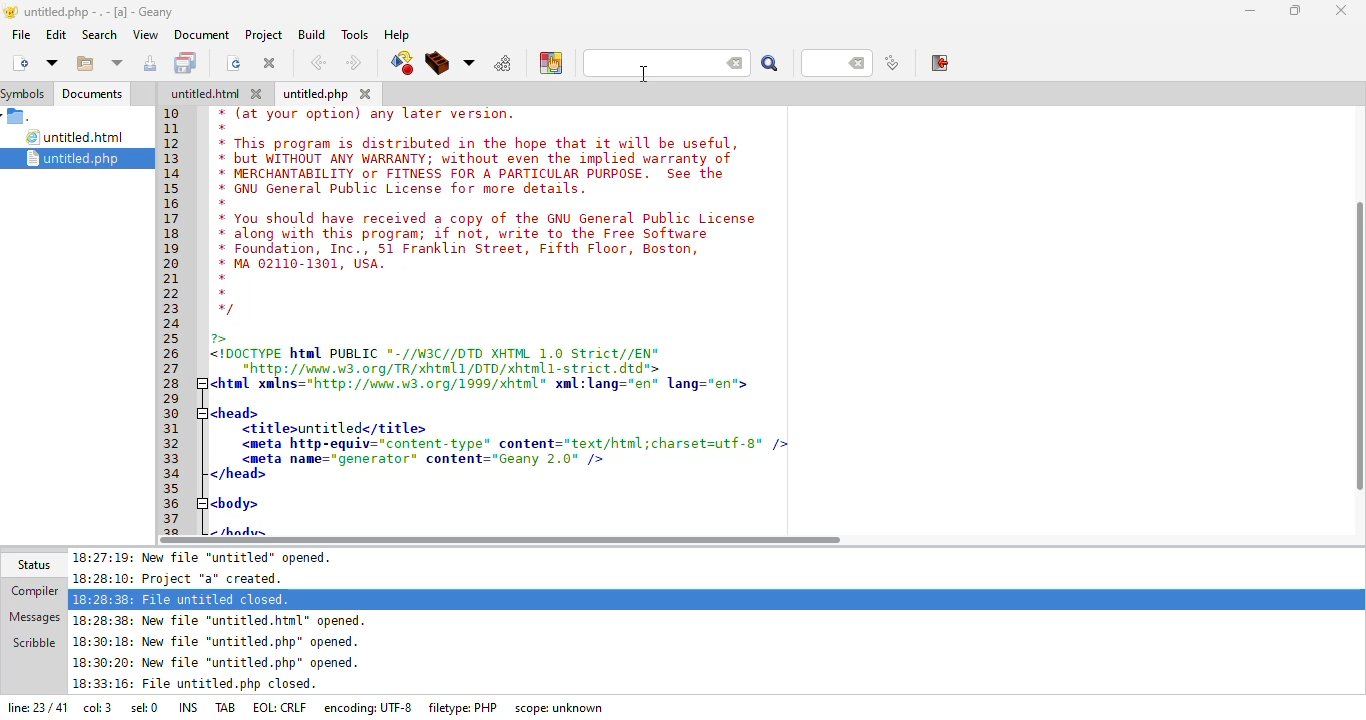  Describe the element at coordinates (366, 93) in the screenshot. I see `close` at that location.